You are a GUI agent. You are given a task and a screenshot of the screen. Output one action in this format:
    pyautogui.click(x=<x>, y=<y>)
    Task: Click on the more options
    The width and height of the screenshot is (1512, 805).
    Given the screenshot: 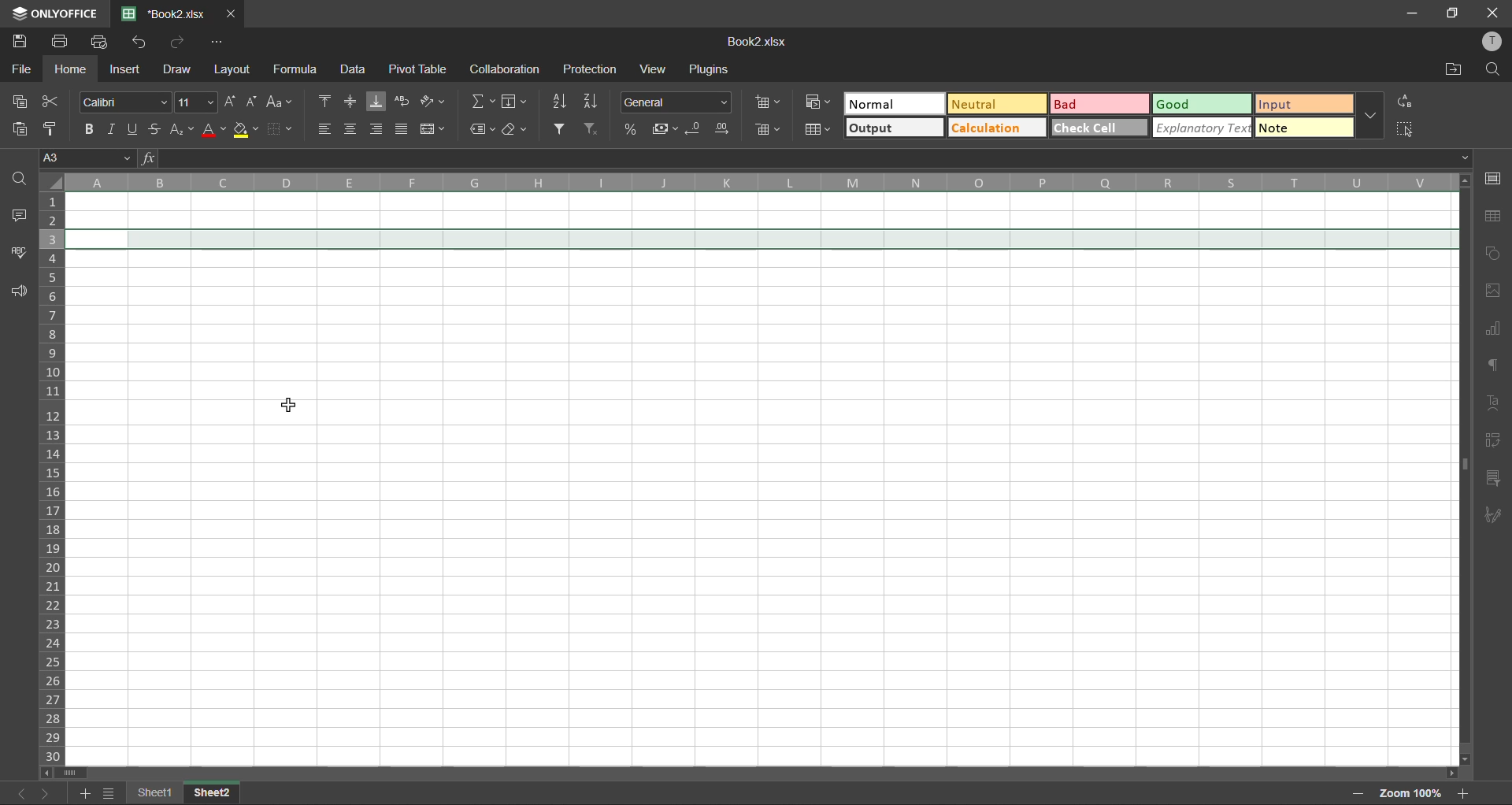 What is the action you would take?
    pyautogui.click(x=1367, y=114)
    